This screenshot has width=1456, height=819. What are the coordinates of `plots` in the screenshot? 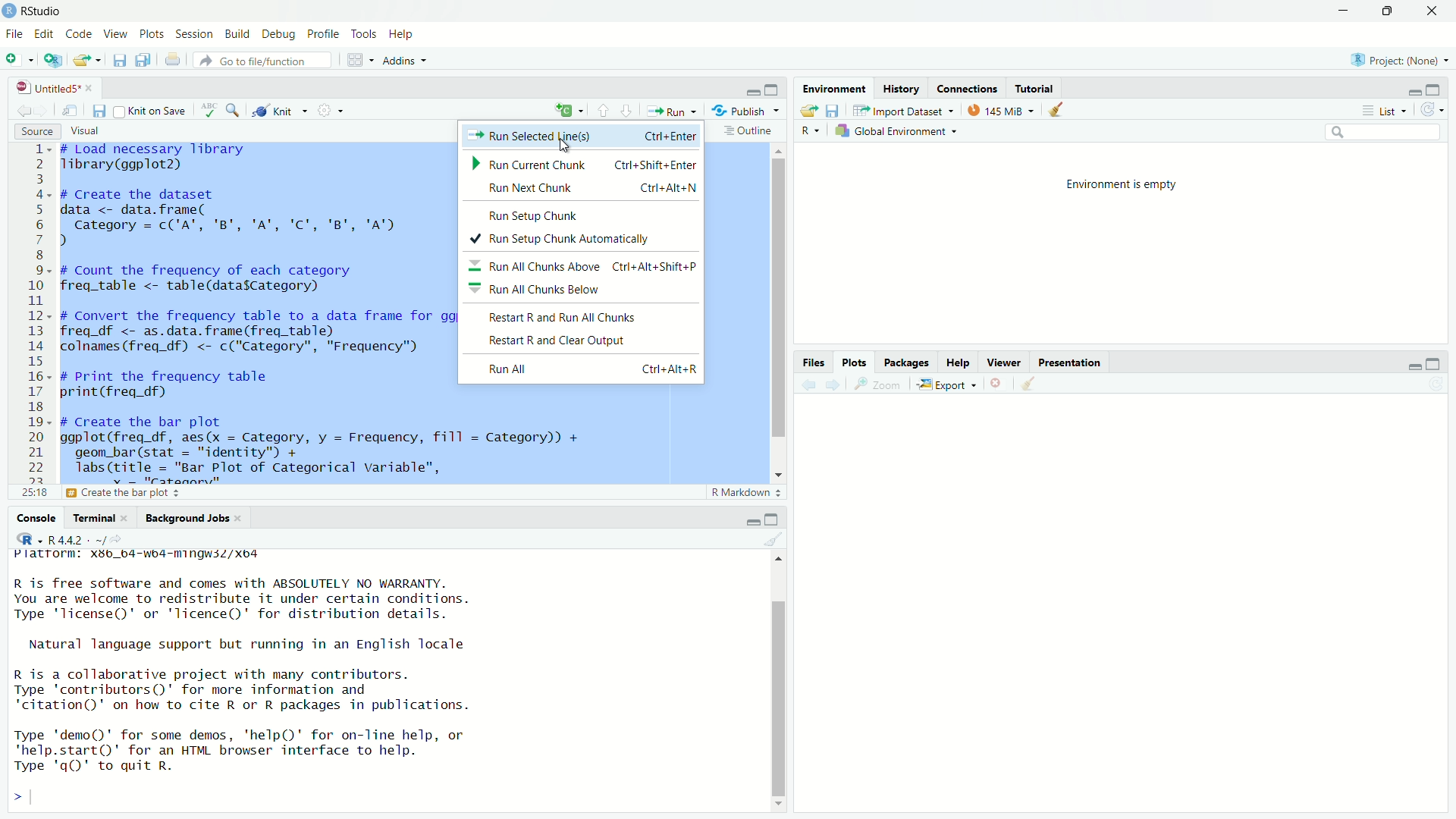 It's located at (152, 35).